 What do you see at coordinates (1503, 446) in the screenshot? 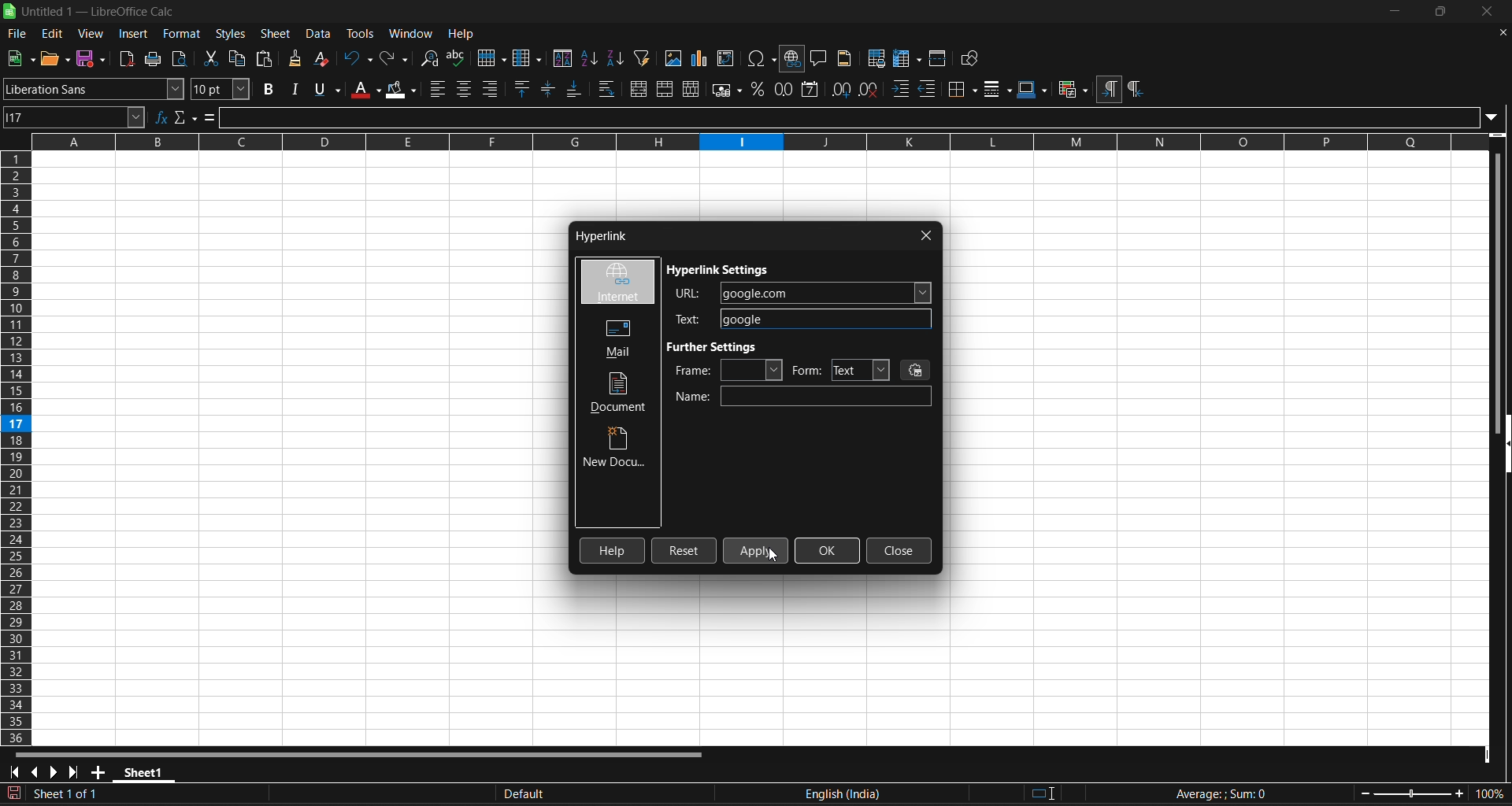
I see `hide` at bounding box center [1503, 446].